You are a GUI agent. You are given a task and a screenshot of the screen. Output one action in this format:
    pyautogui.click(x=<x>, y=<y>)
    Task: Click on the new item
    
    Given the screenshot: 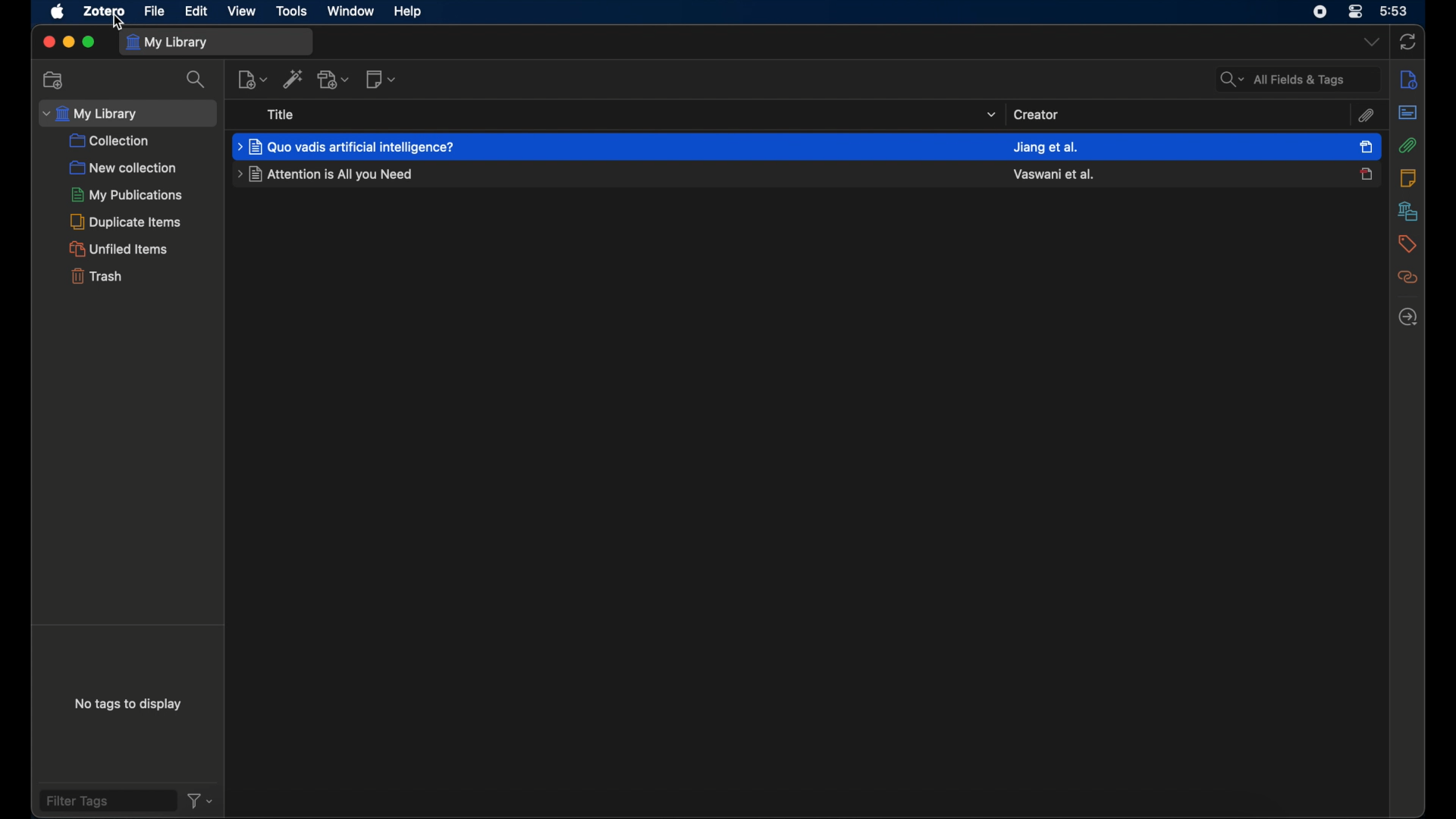 What is the action you would take?
    pyautogui.click(x=254, y=80)
    